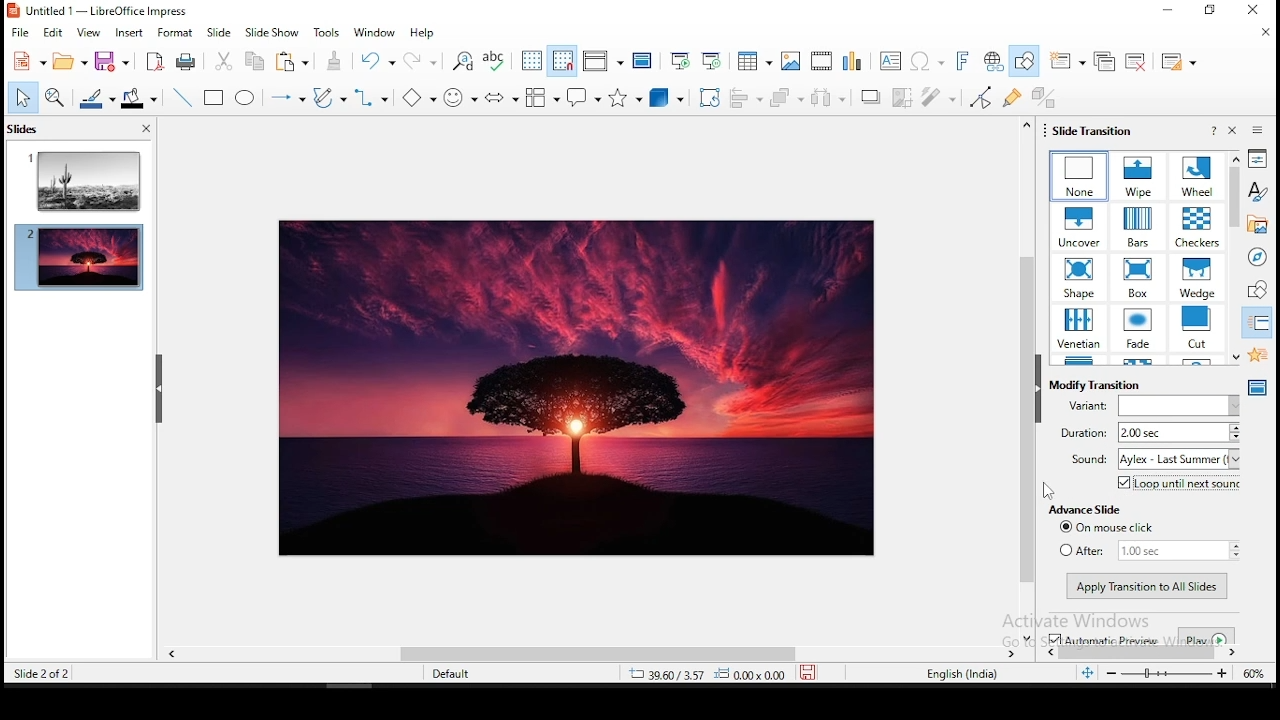 The width and height of the screenshot is (1280, 720). Describe the element at coordinates (1152, 433) in the screenshot. I see `duration 2.00 sec` at that location.